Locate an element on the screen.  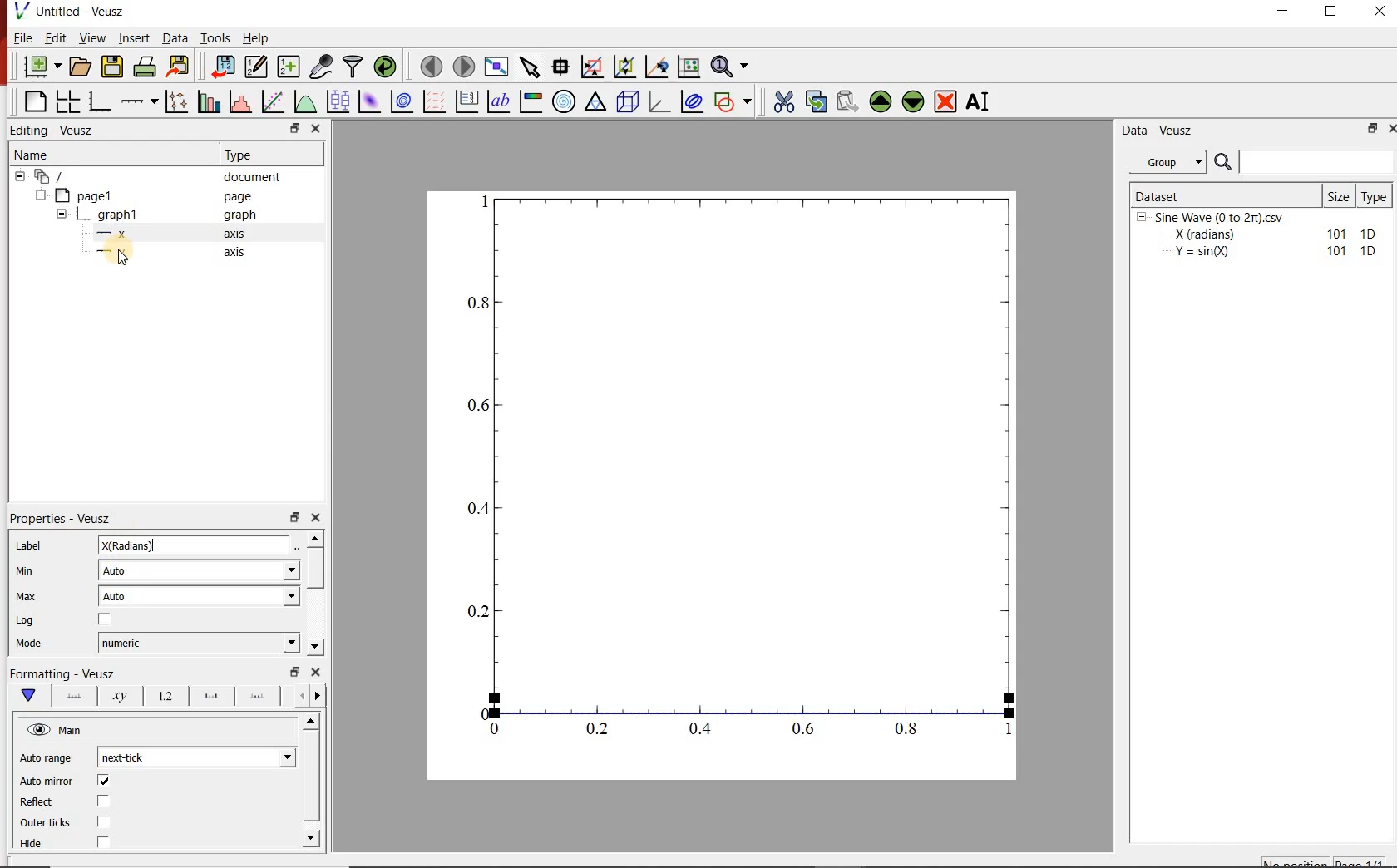
document is located at coordinates (253, 177).